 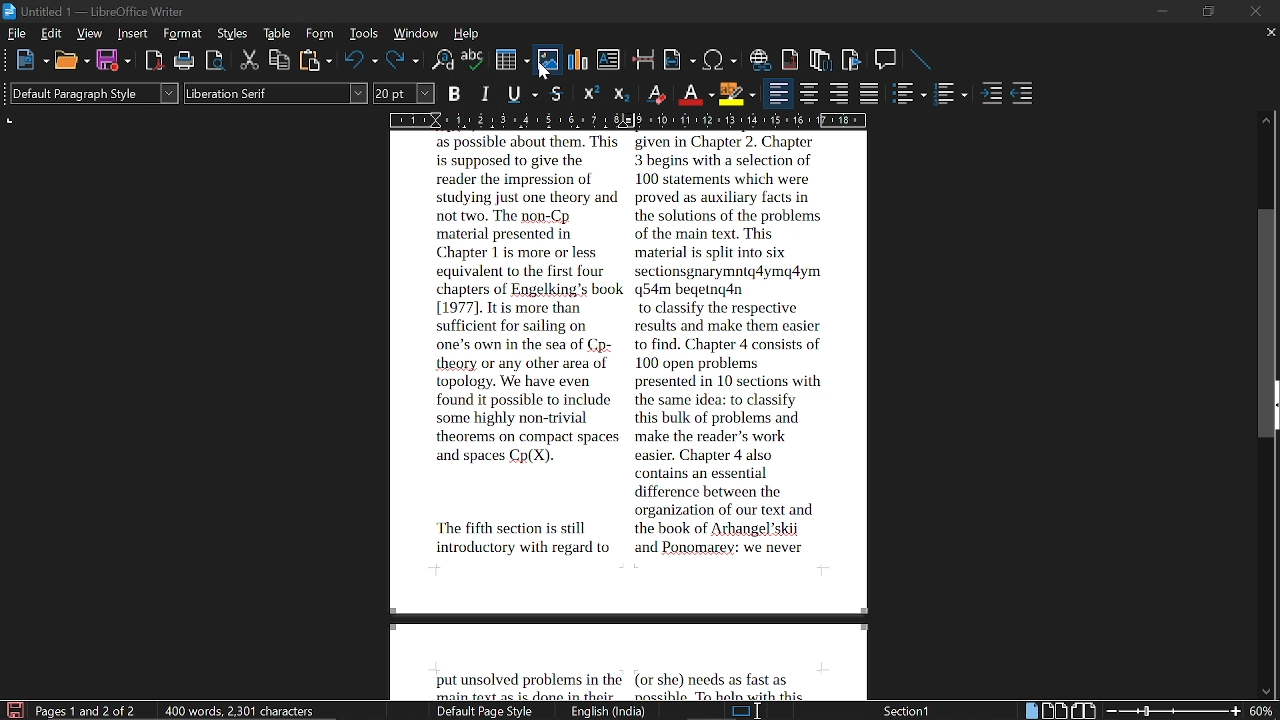 What do you see at coordinates (1085, 711) in the screenshot?
I see `book view` at bounding box center [1085, 711].